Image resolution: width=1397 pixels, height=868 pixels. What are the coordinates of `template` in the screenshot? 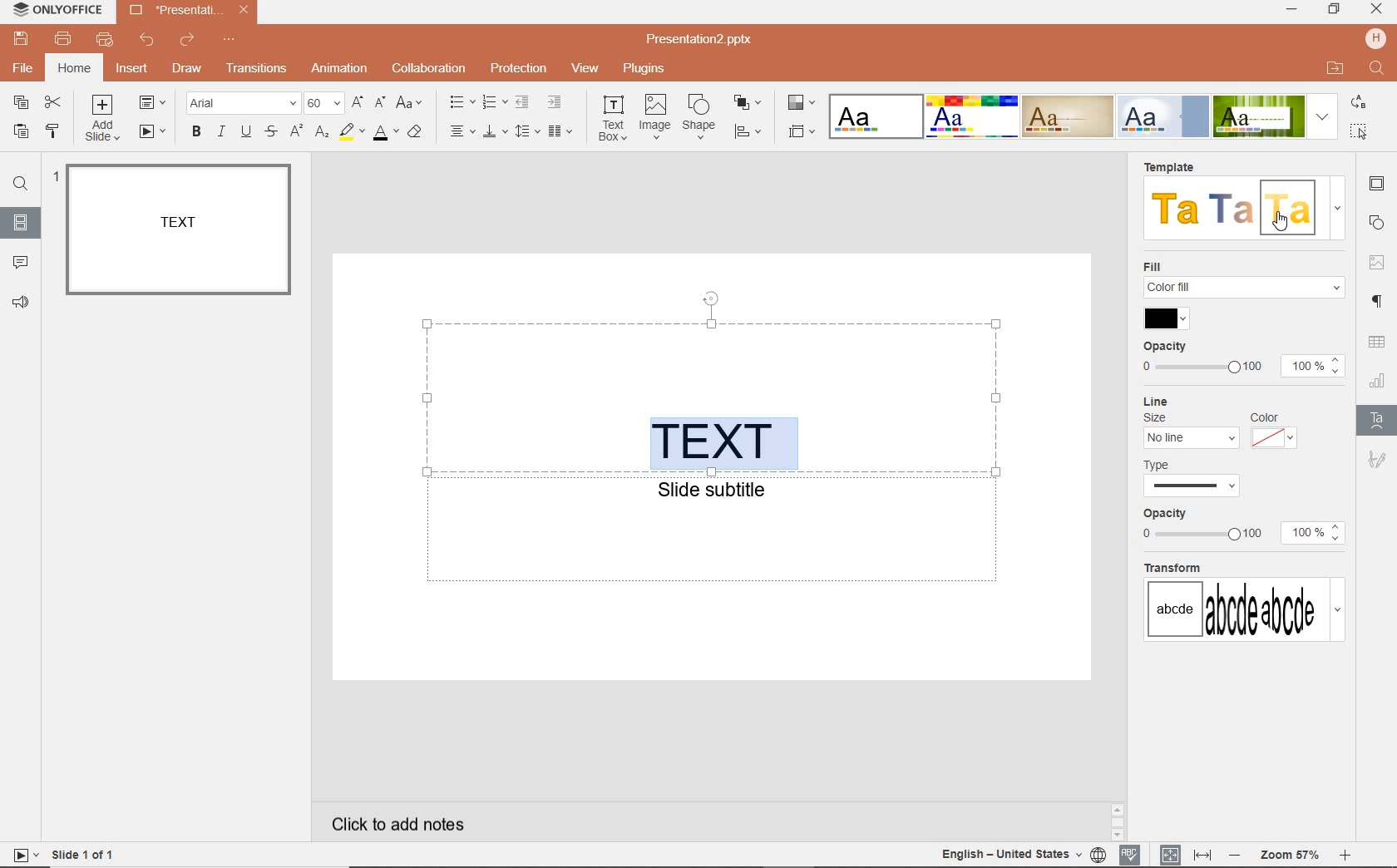 It's located at (1177, 209).